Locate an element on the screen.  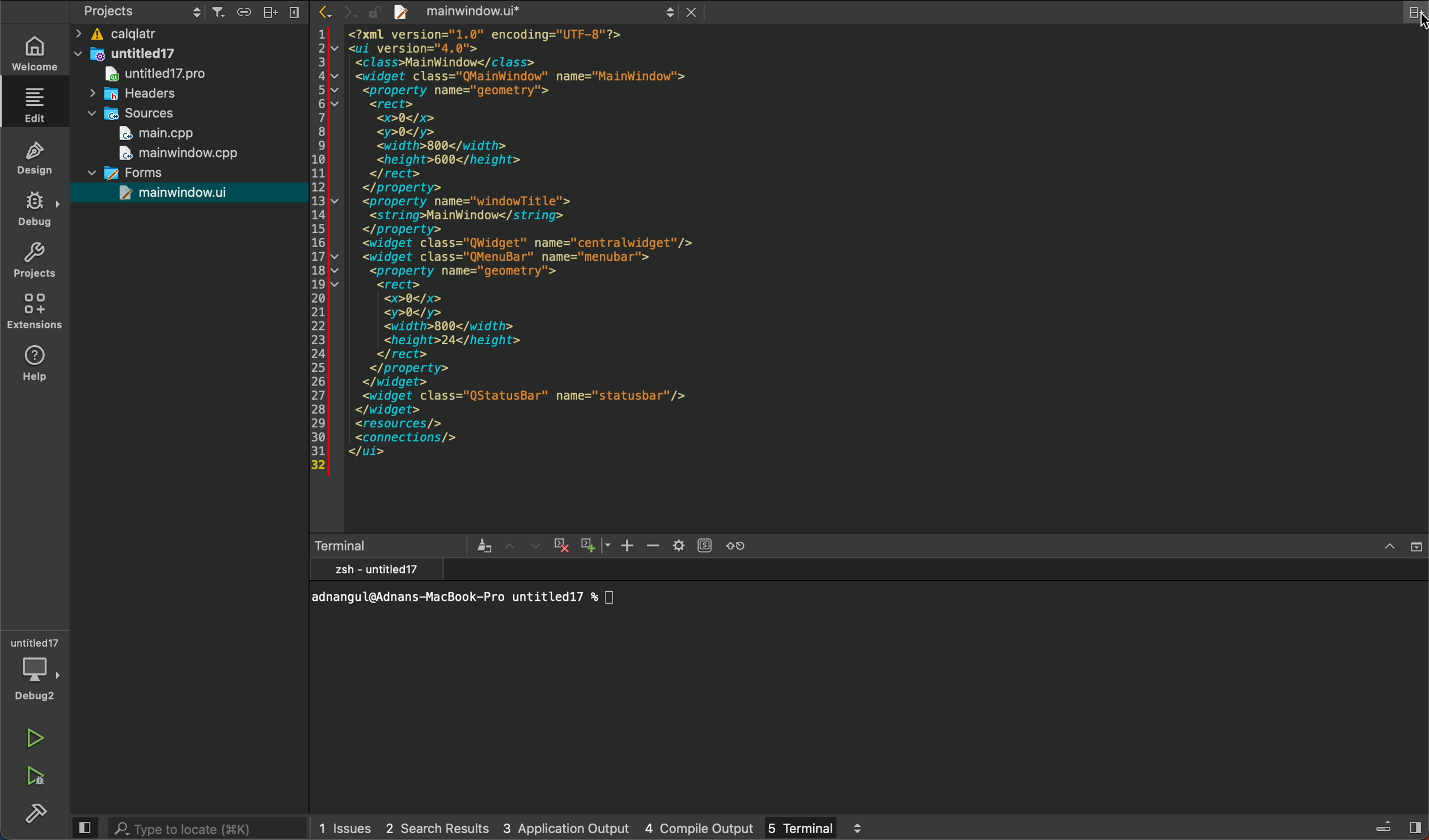
terminal is located at coordinates (390, 546).